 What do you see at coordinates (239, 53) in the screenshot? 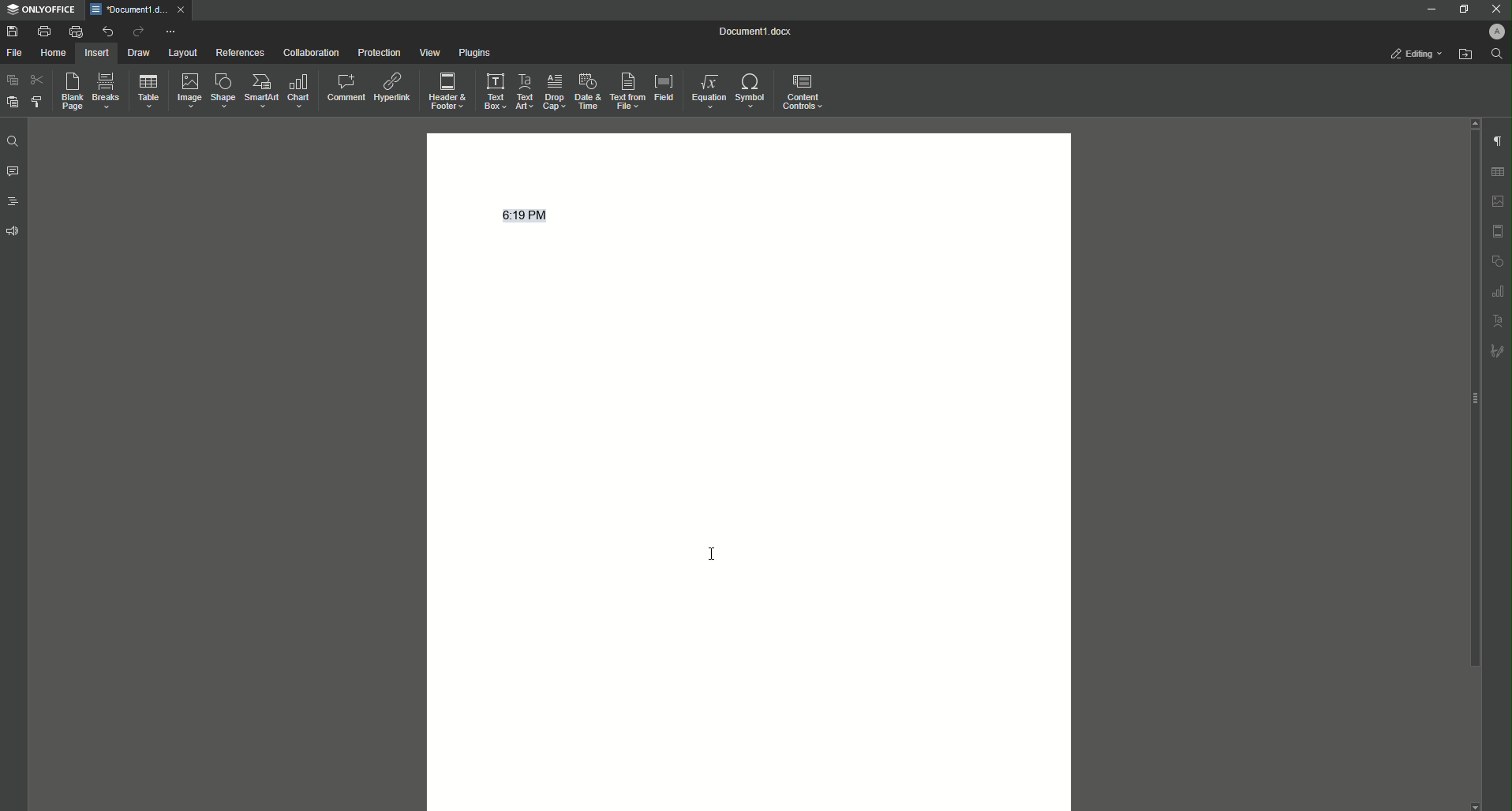
I see `References` at bounding box center [239, 53].